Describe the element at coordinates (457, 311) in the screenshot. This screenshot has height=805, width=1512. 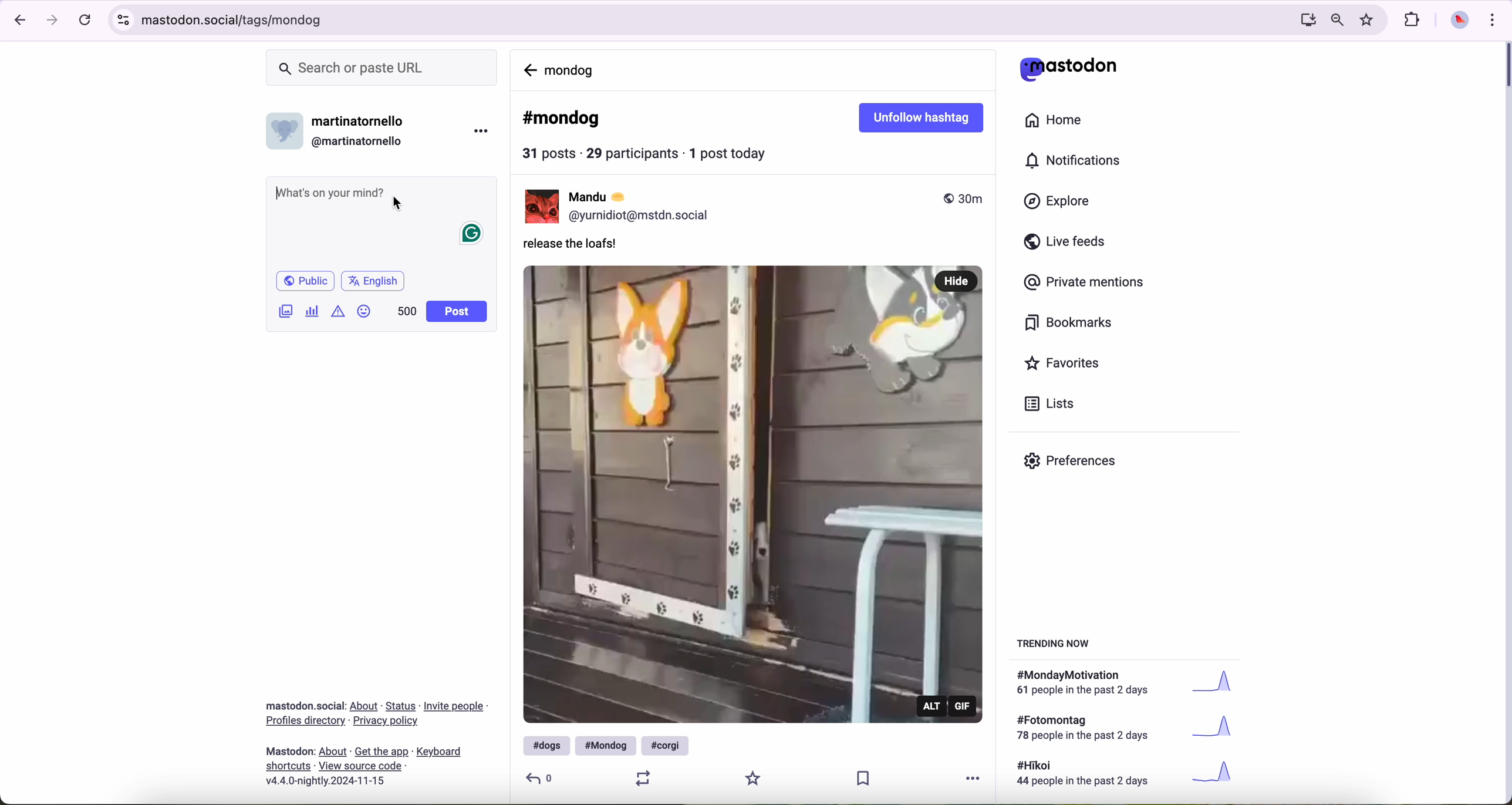
I see `post button` at that location.